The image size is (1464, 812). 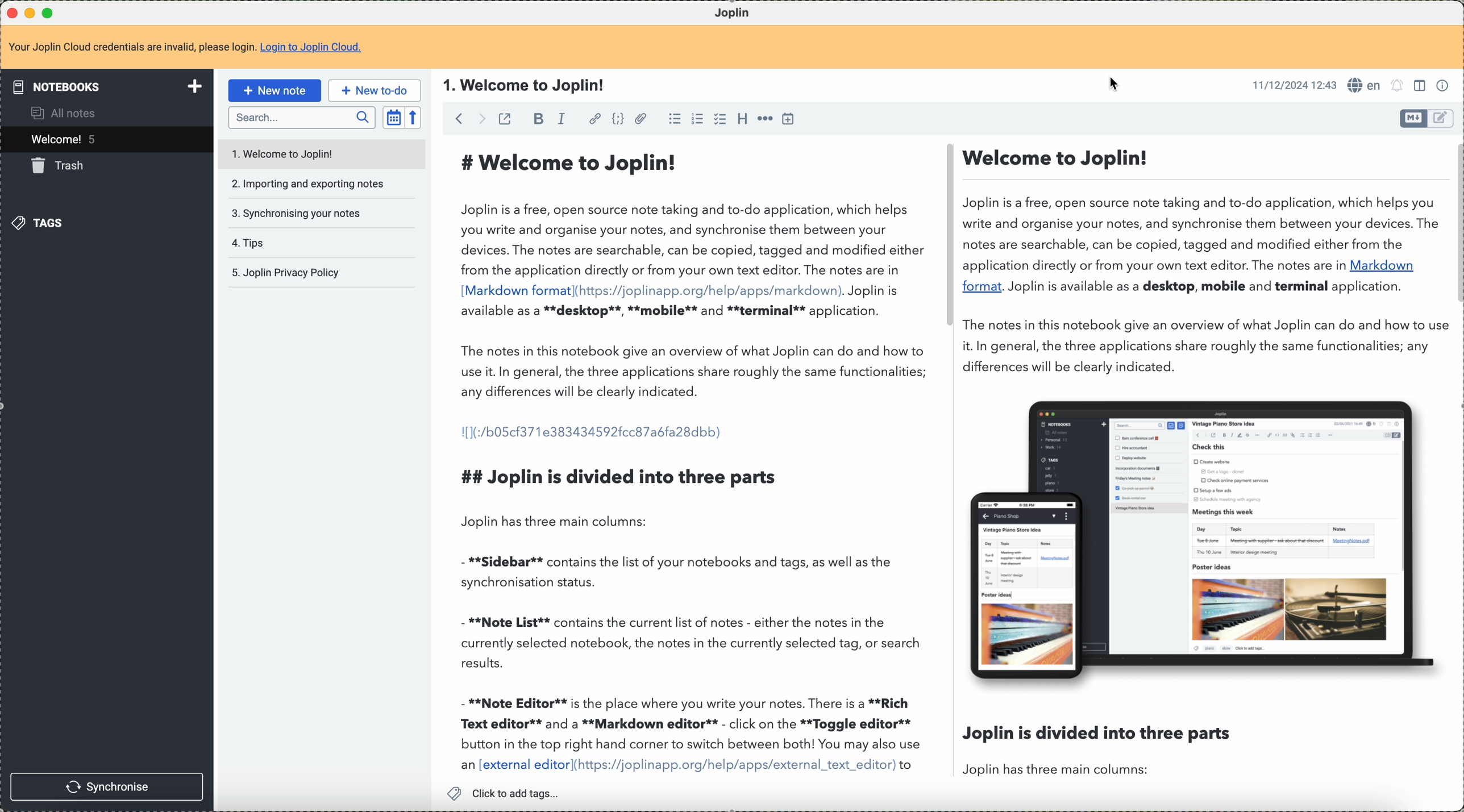 What do you see at coordinates (45, 224) in the screenshot?
I see `tags` at bounding box center [45, 224].